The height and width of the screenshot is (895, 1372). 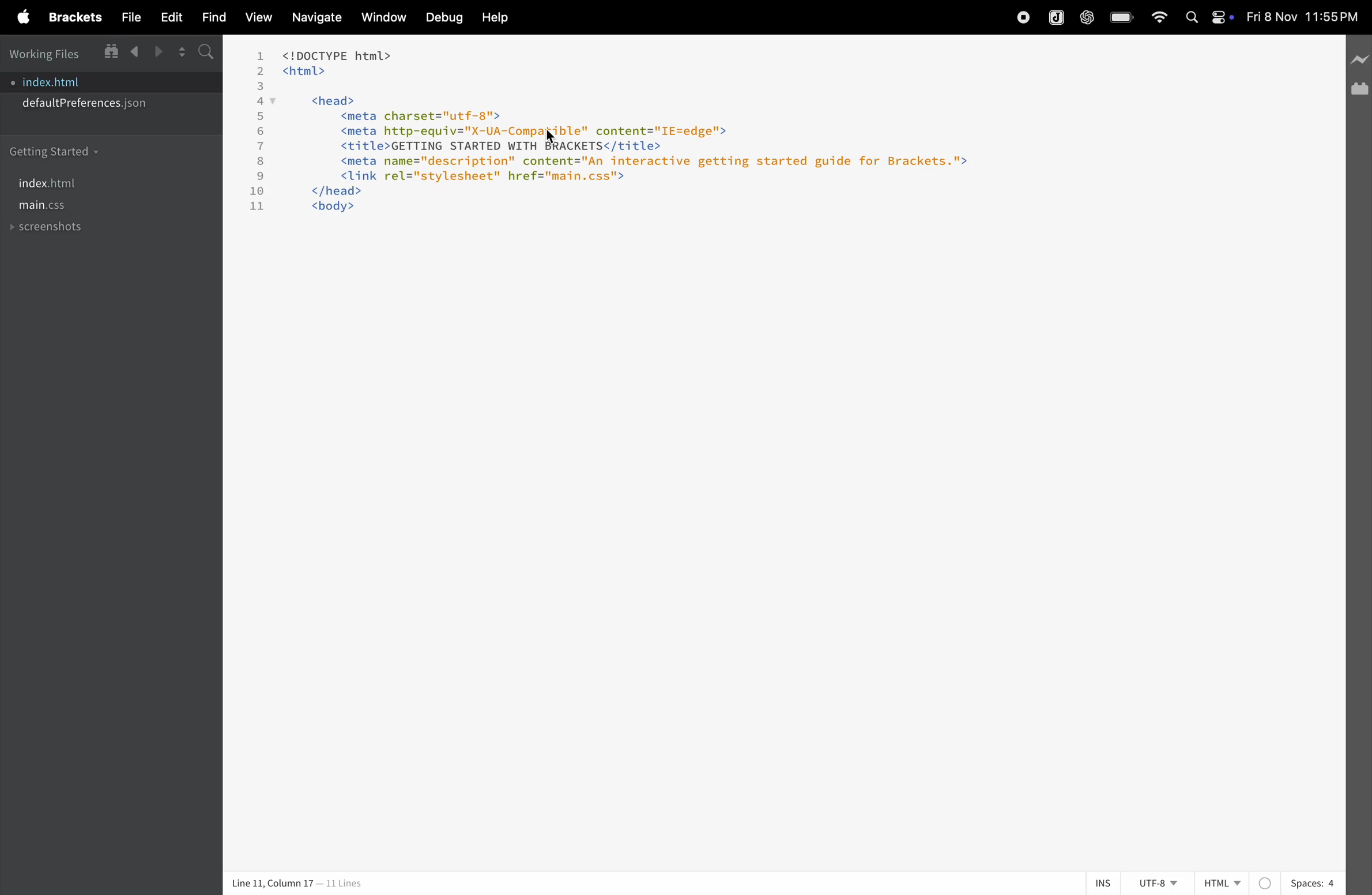 What do you see at coordinates (1120, 17) in the screenshot?
I see `battery` at bounding box center [1120, 17].